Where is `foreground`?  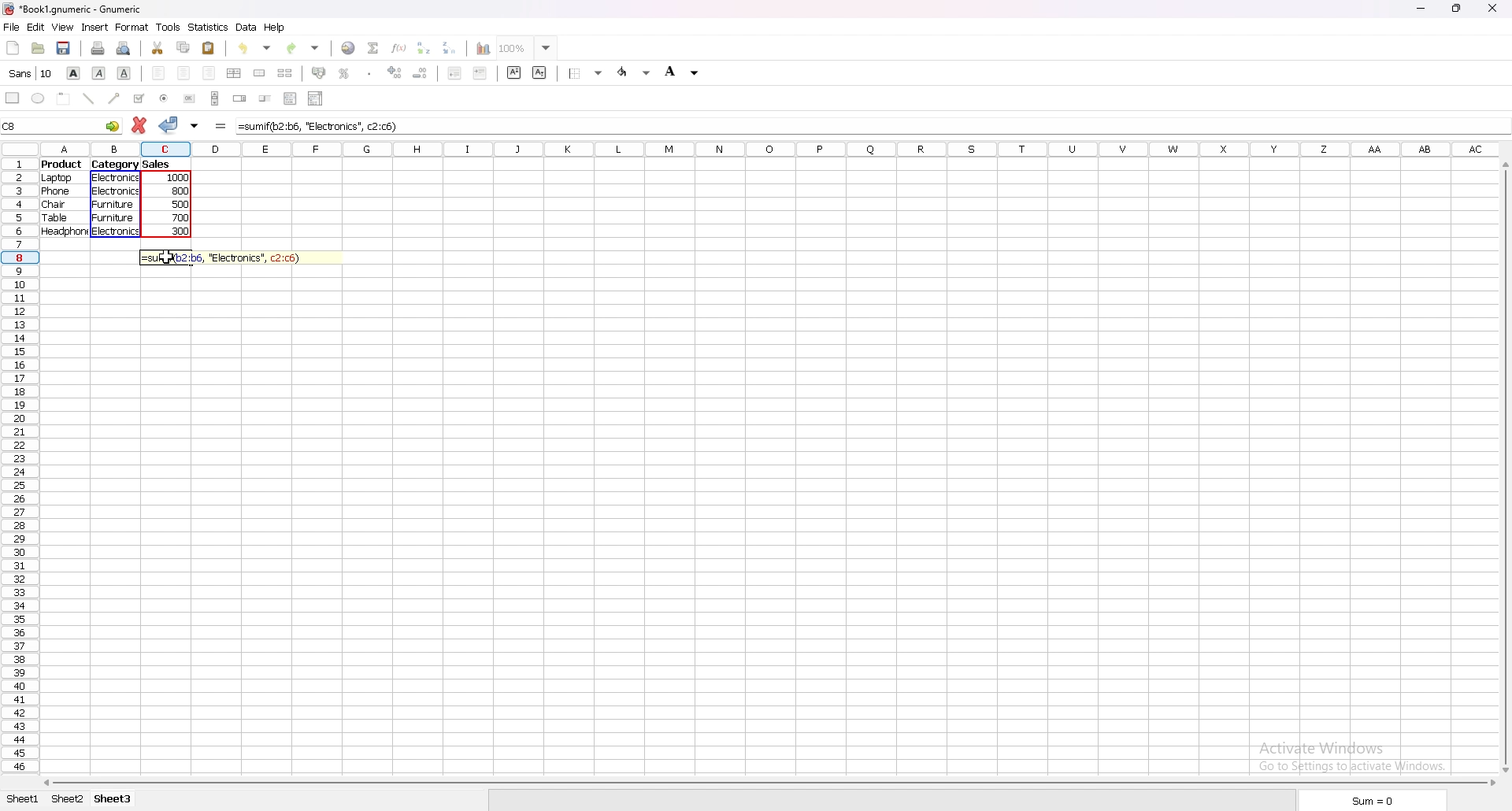
foreground is located at coordinates (636, 72).